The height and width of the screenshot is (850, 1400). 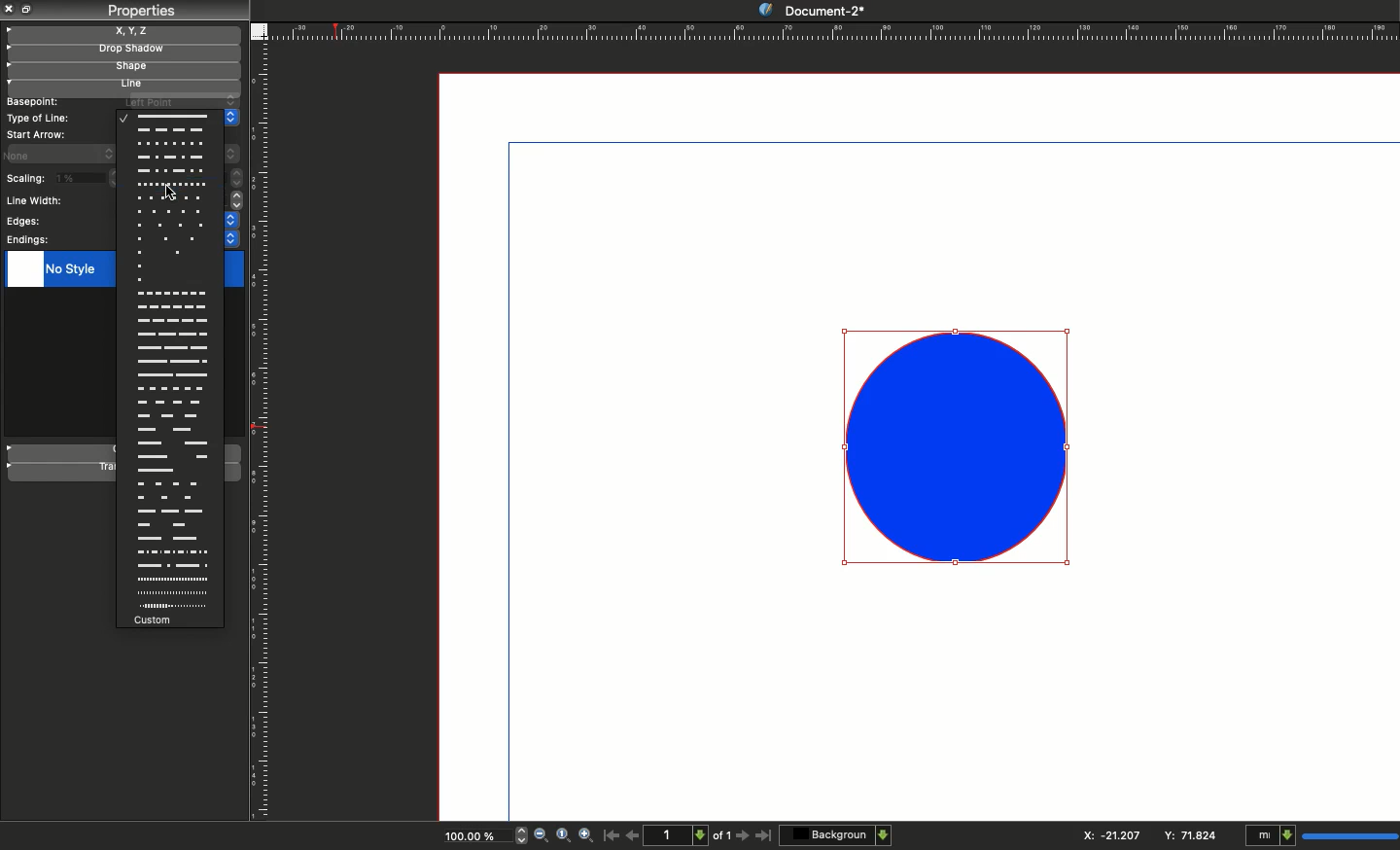 What do you see at coordinates (170, 430) in the screenshot?
I see `line option` at bounding box center [170, 430].